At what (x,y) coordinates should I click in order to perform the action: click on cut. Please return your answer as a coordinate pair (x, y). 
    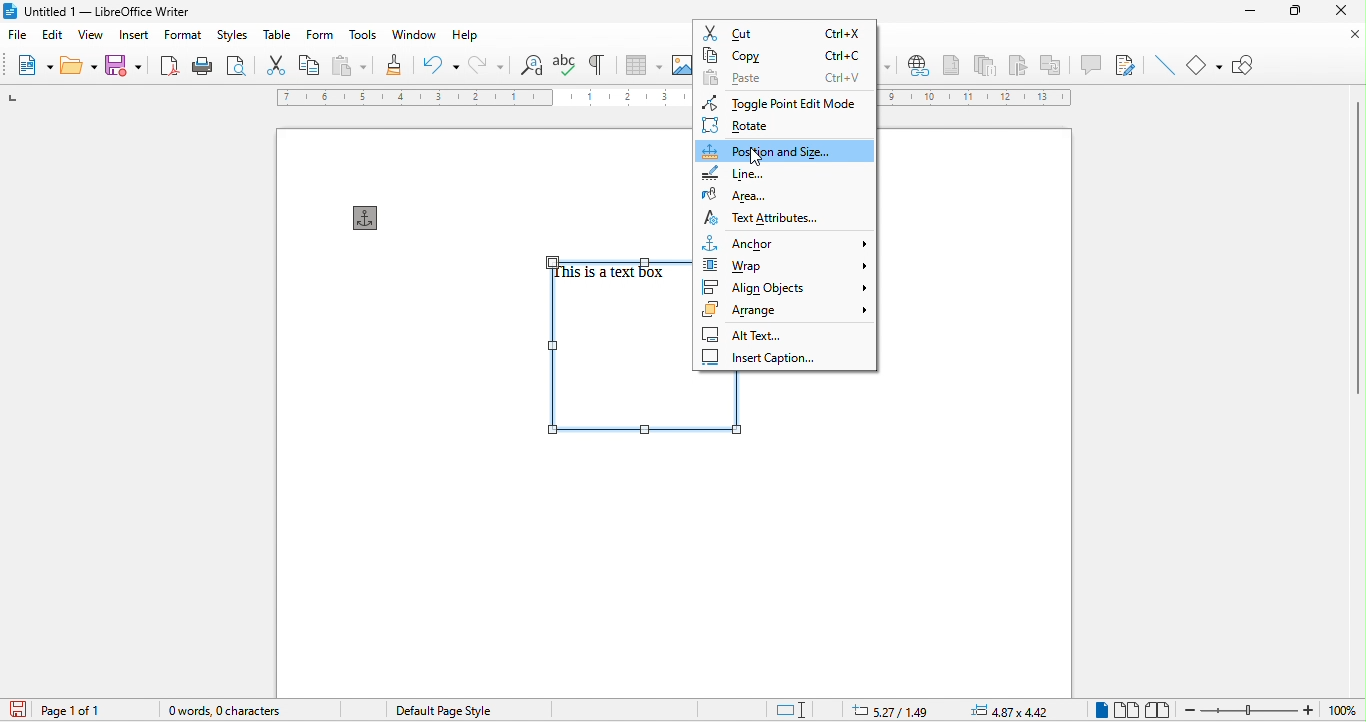
    Looking at the image, I should click on (278, 66).